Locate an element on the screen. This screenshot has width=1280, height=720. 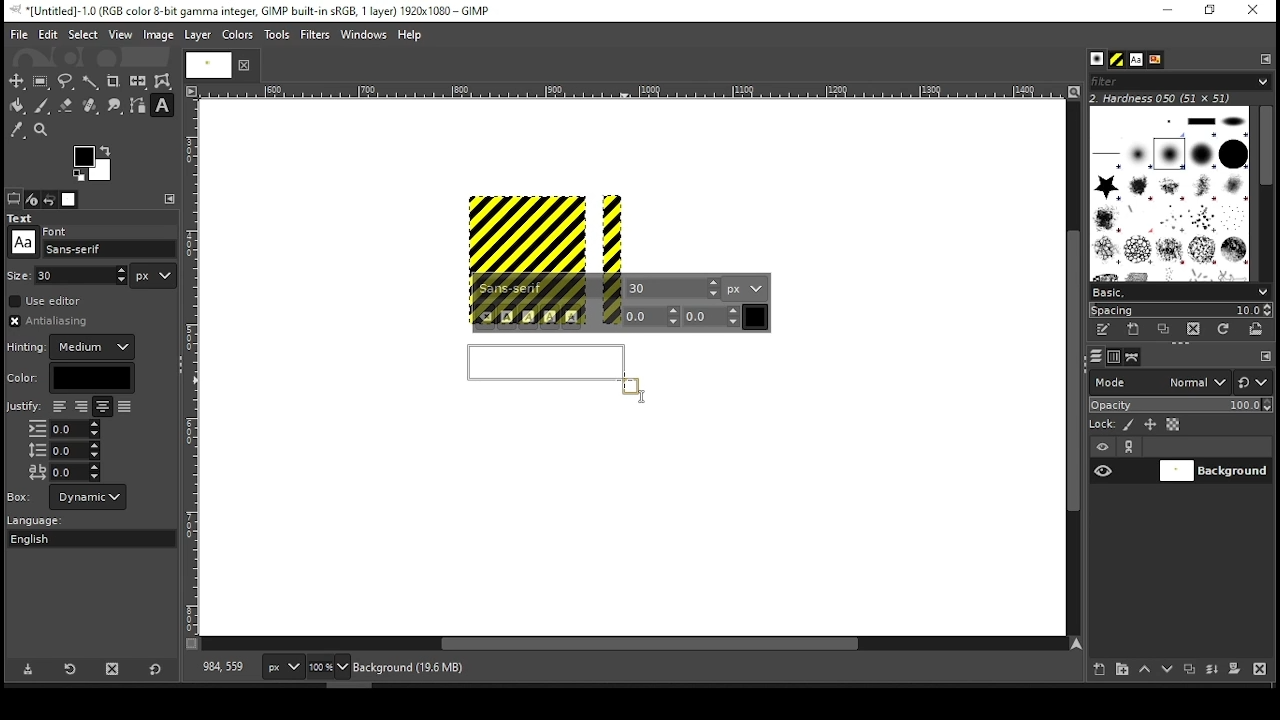
background (28.0mb) is located at coordinates (413, 668).